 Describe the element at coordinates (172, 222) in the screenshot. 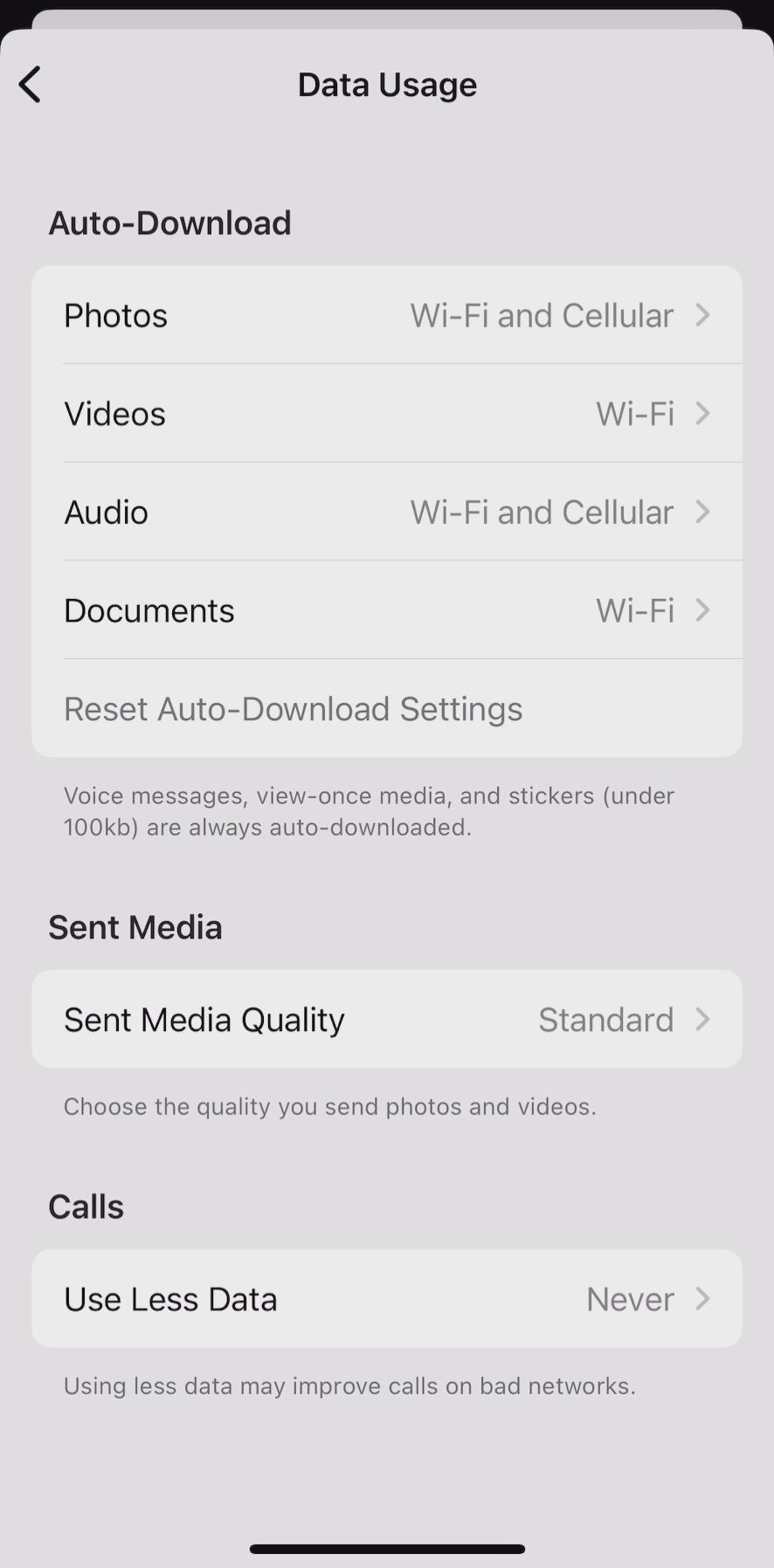

I see `Auto-Download` at that location.